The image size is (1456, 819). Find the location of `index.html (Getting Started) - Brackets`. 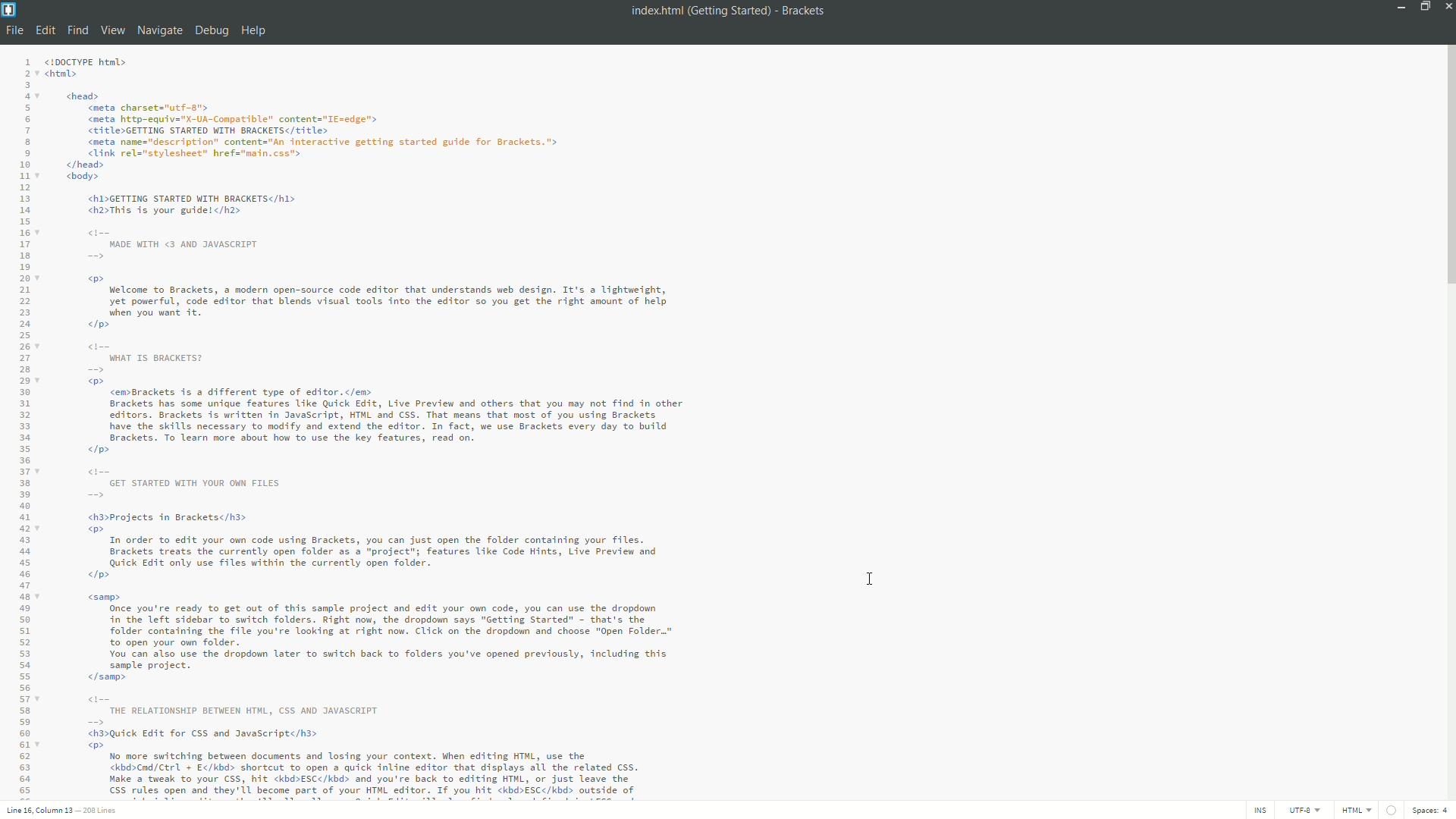

index.html (Getting Started) - Brackets is located at coordinates (726, 11).